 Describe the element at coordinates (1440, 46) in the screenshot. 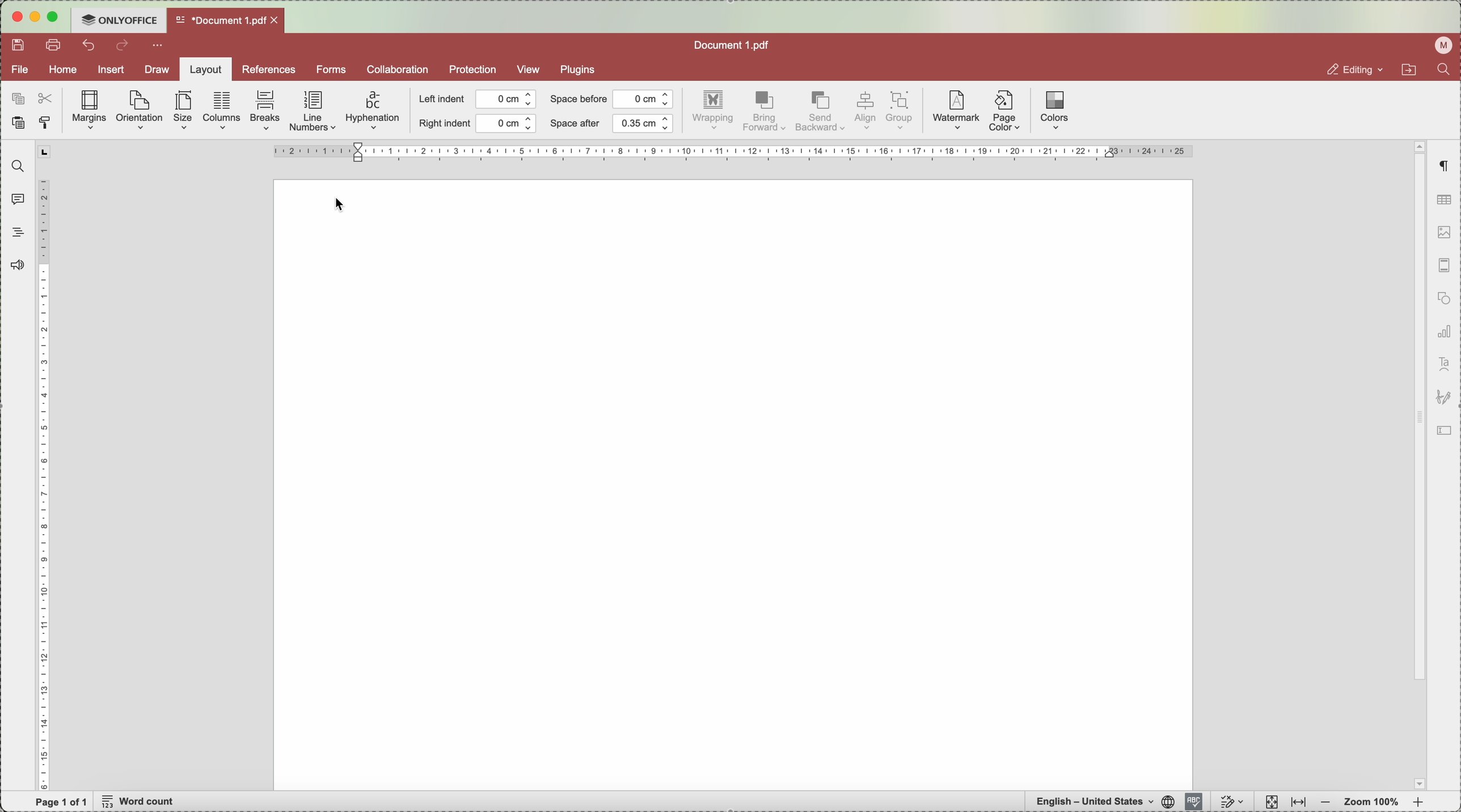

I see `user` at that location.